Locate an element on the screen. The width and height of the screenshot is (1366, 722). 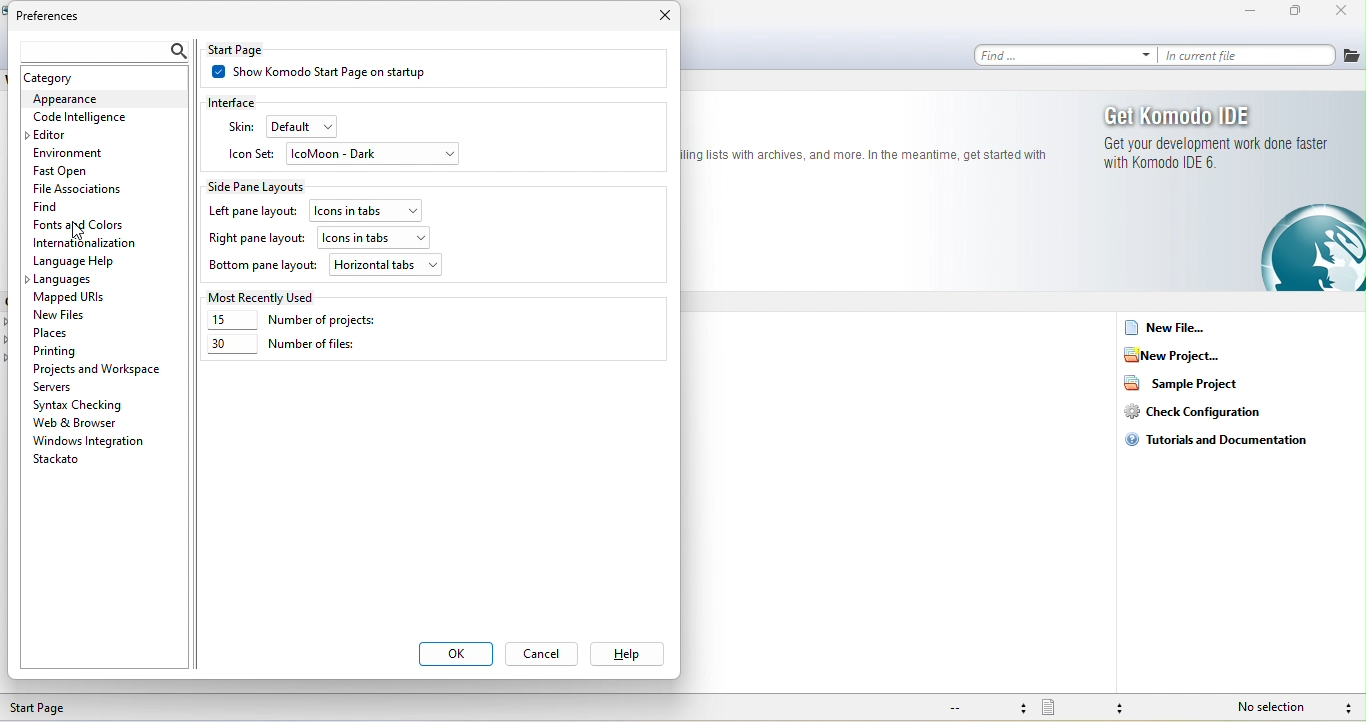
skin is located at coordinates (246, 127).